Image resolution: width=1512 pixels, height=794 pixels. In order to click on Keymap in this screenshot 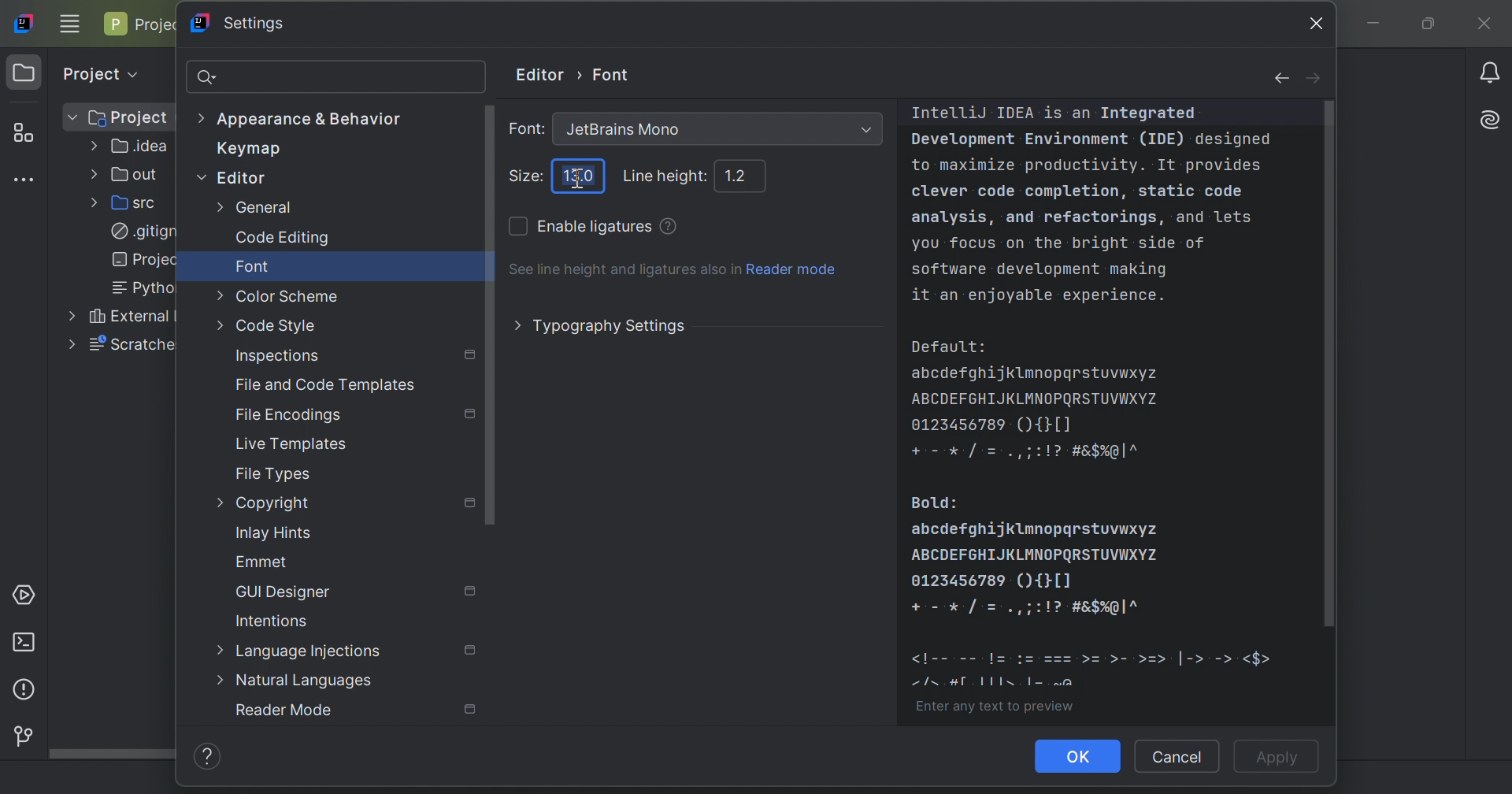, I will do `click(242, 150)`.